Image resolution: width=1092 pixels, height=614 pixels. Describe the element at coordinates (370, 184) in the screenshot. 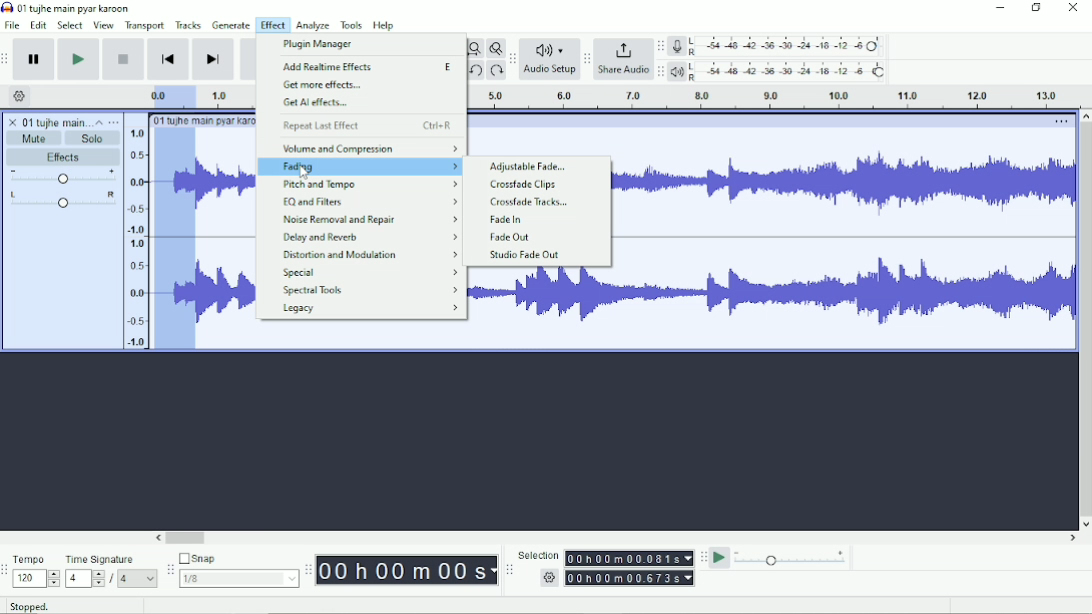

I see `Pitch and Tempo` at that location.